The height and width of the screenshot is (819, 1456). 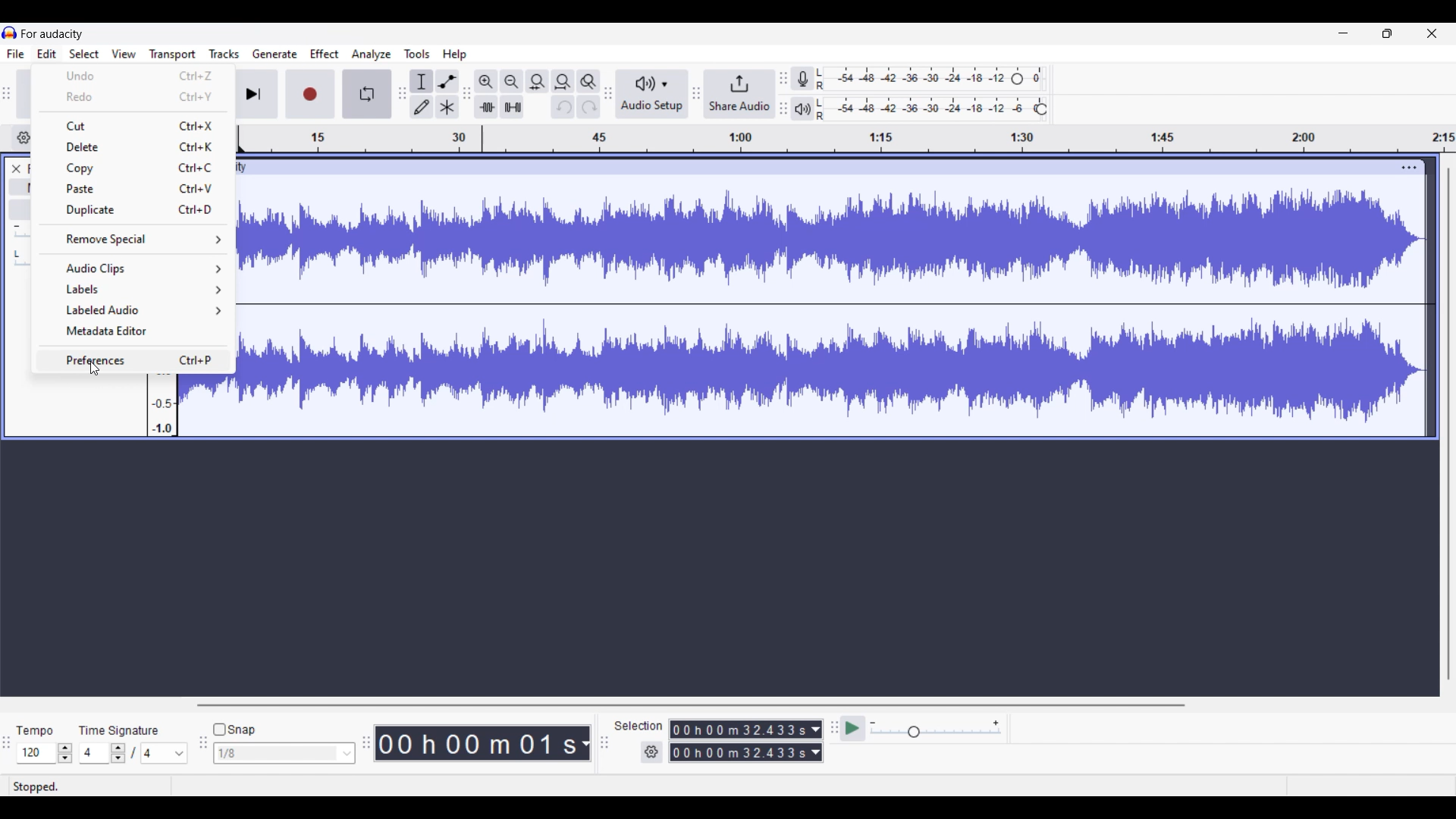 What do you see at coordinates (563, 82) in the screenshot?
I see `Fit project to width` at bounding box center [563, 82].